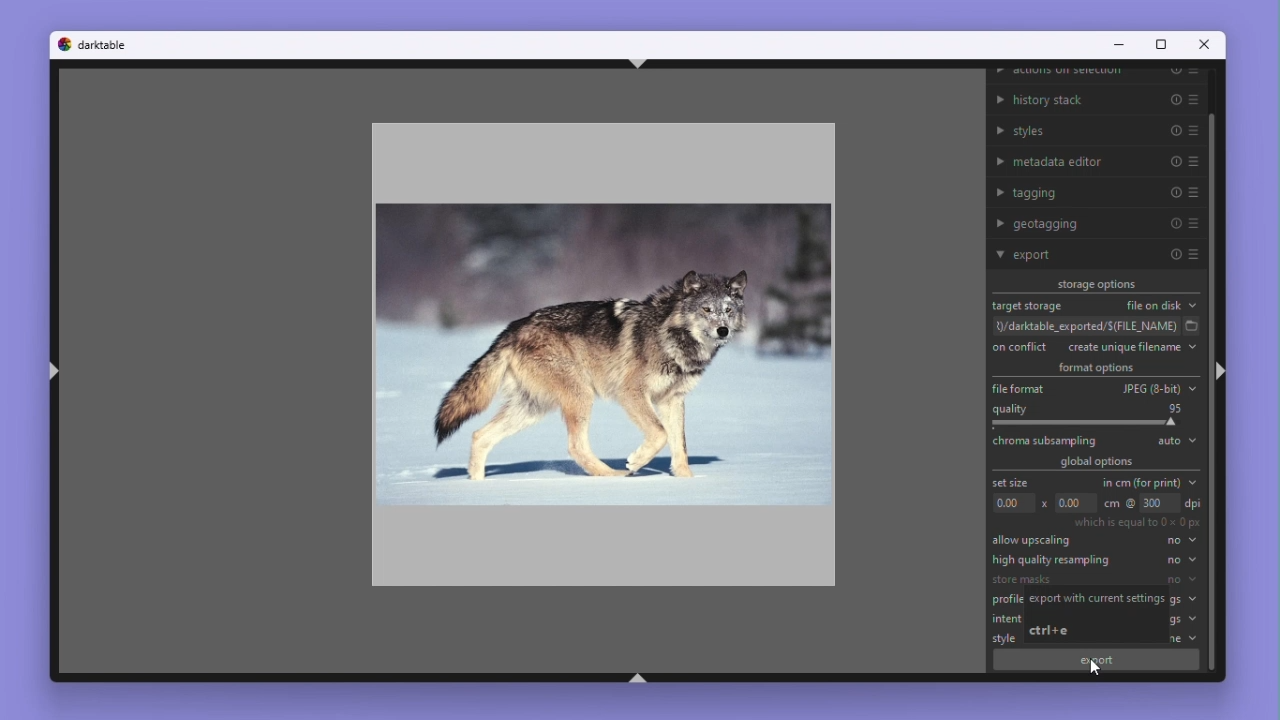  What do you see at coordinates (1184, 581) in the screenshot?
I see `no` at bounding box center [1184, 581].